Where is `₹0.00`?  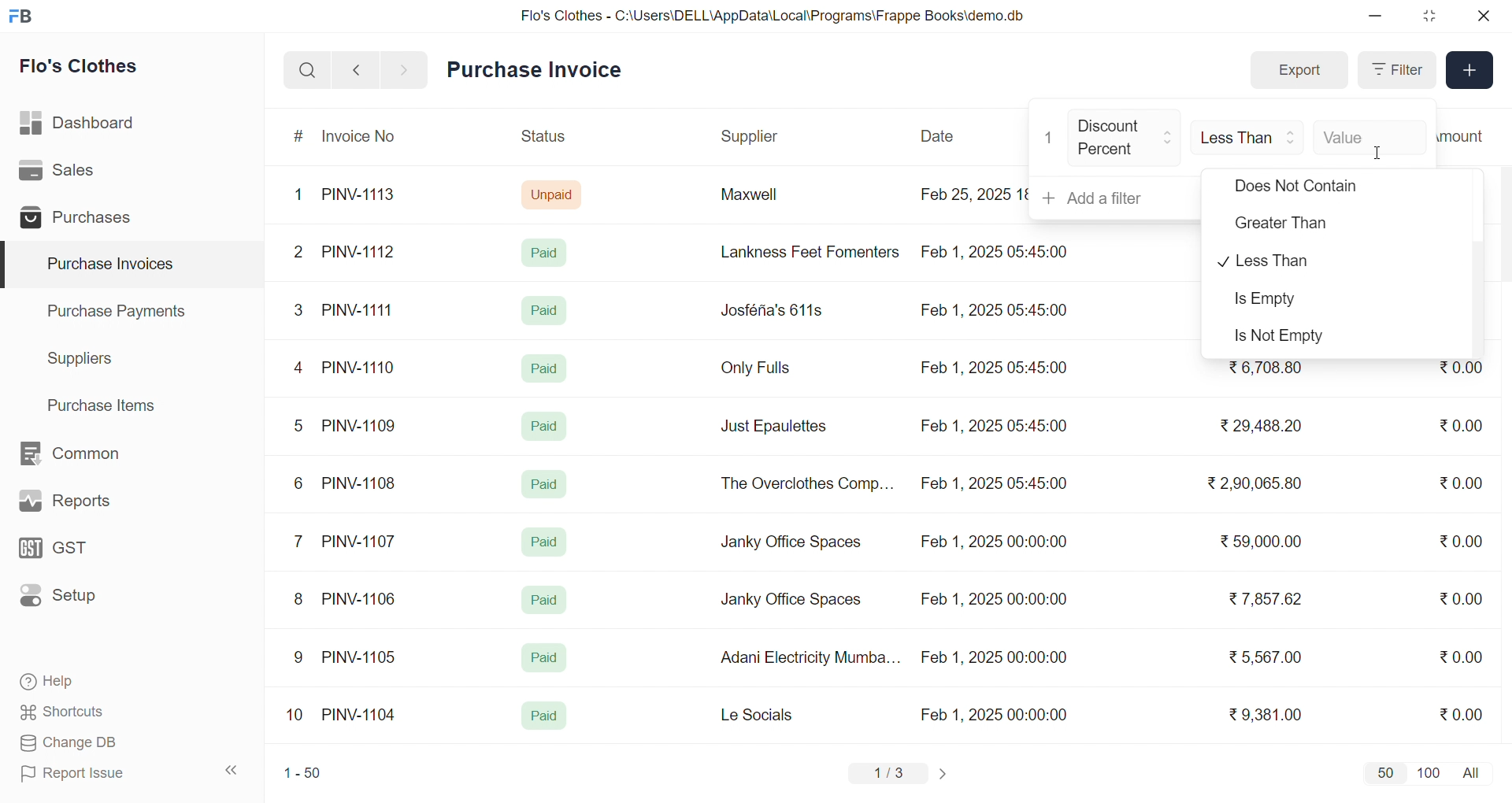
₹0.00 is located at coordinates (1452, 426).